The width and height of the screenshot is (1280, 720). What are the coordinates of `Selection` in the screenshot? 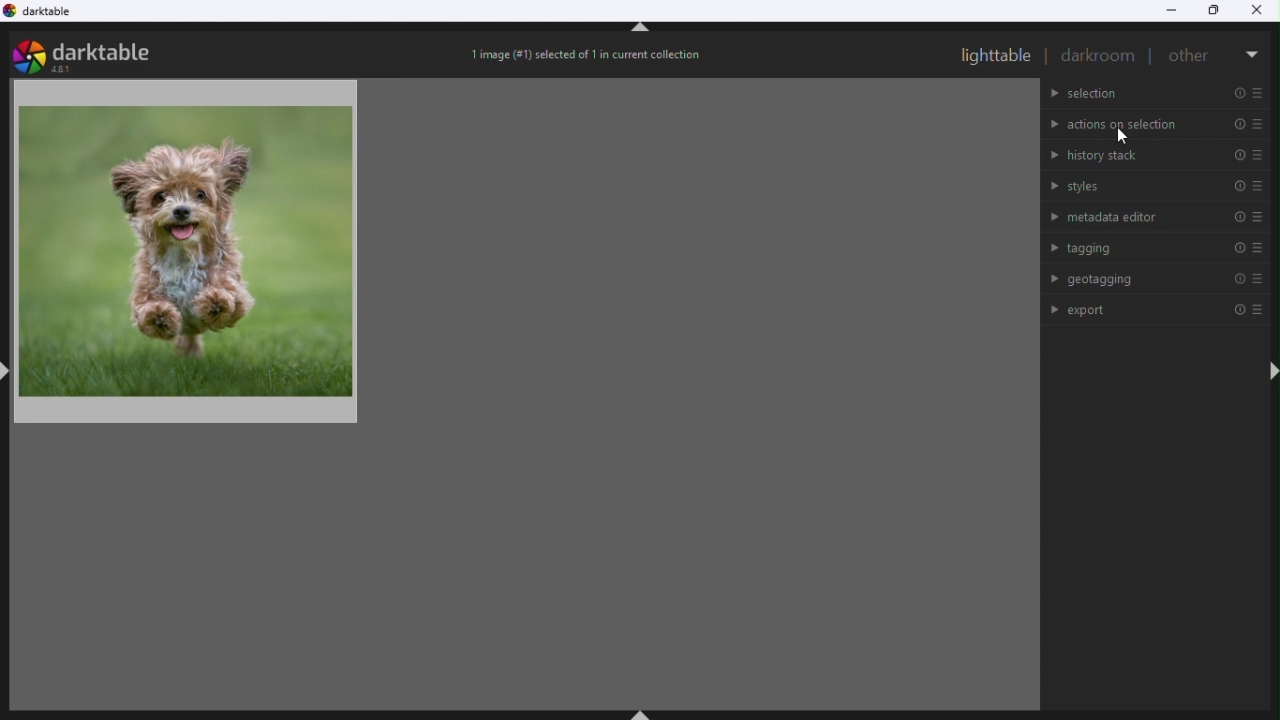 It's located at (1158, 94).